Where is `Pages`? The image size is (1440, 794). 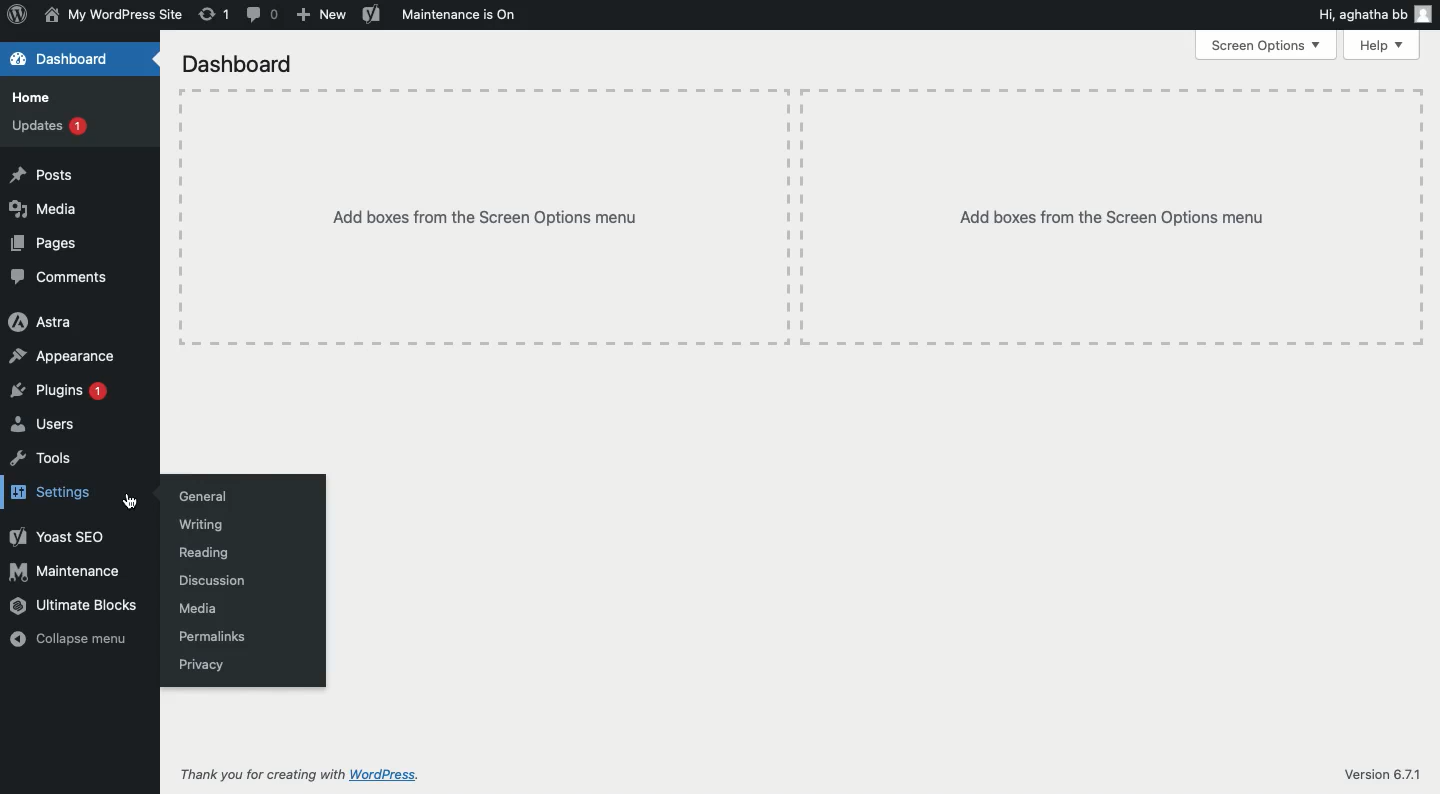
Pages is located at coordinates (49, 245).